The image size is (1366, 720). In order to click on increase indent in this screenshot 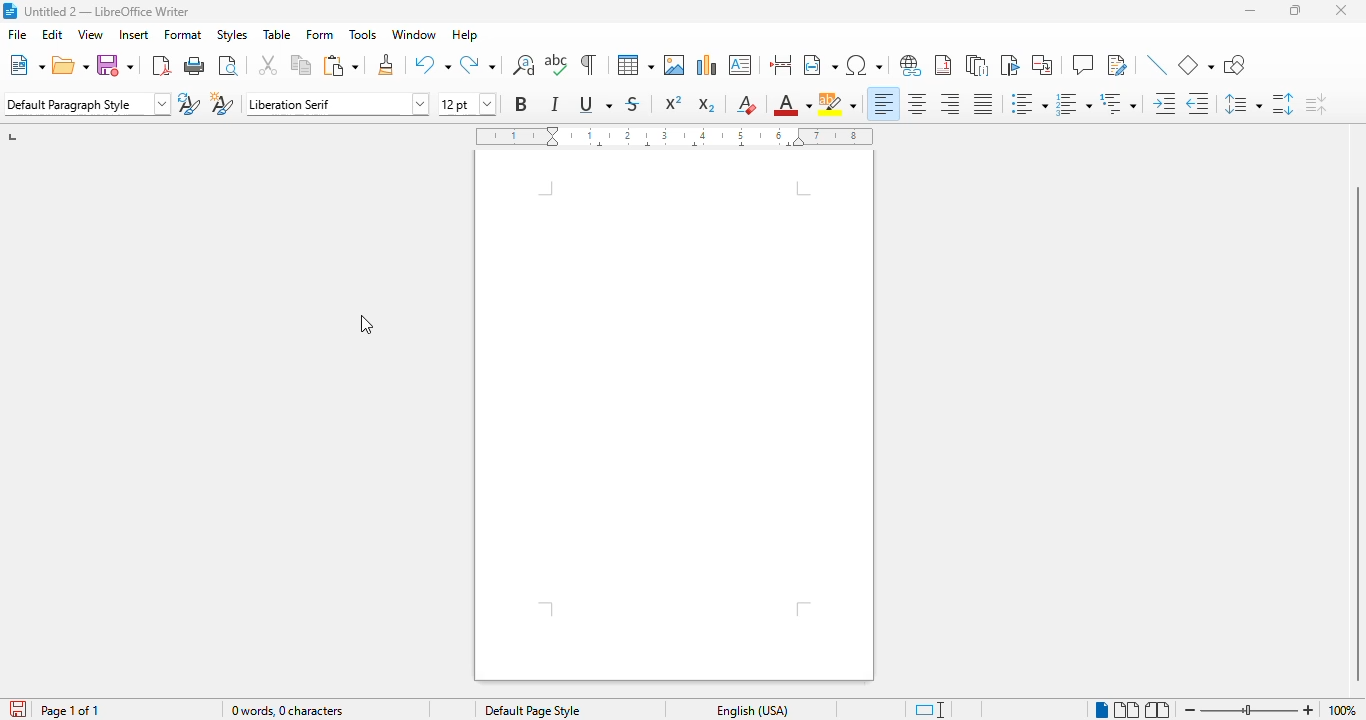, I will do `click(1165, 104)`.